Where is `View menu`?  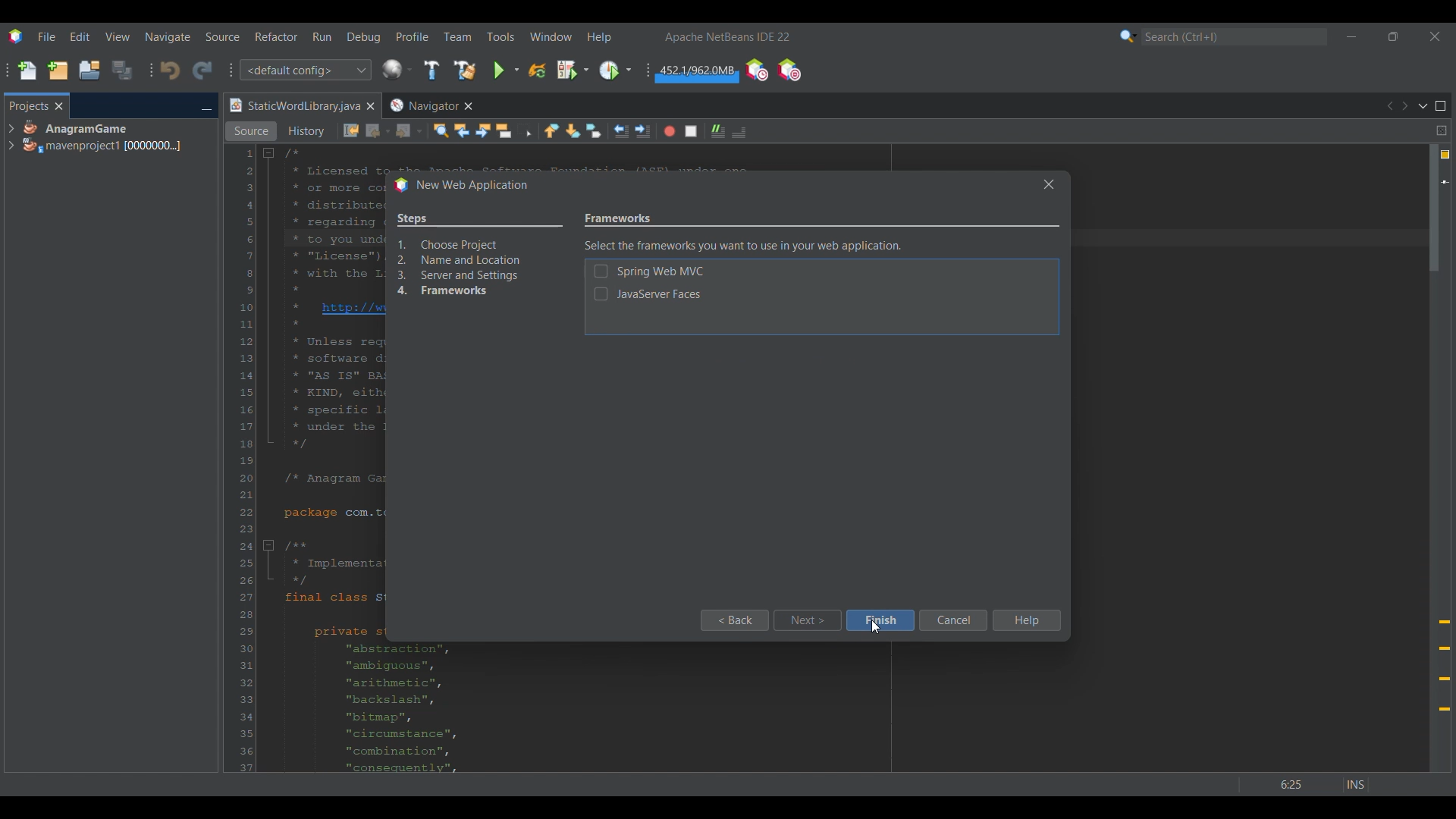
View menu is located at coordinates (118, 36).